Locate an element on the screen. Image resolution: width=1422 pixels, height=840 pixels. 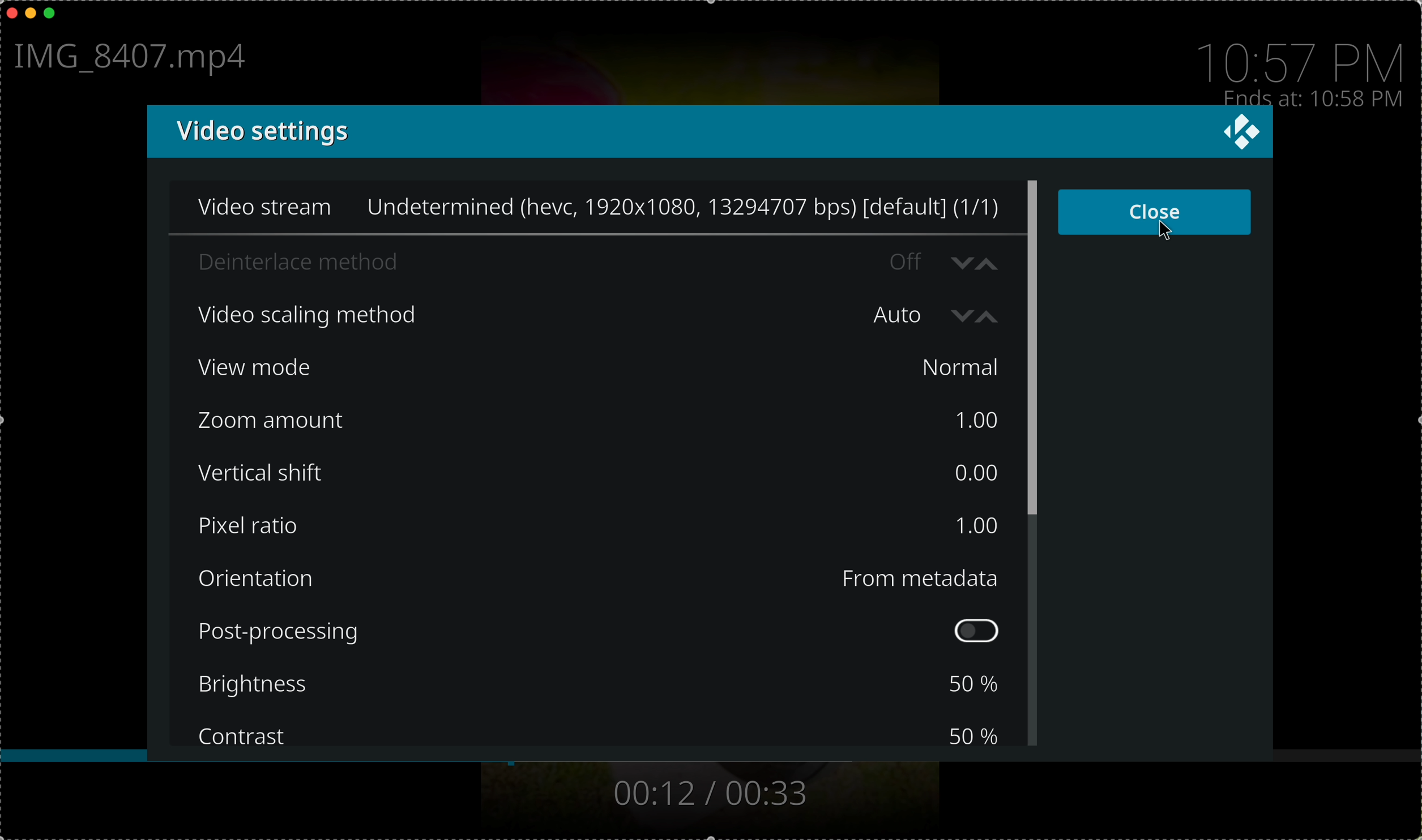
close  is located at coordinates (9, 12).